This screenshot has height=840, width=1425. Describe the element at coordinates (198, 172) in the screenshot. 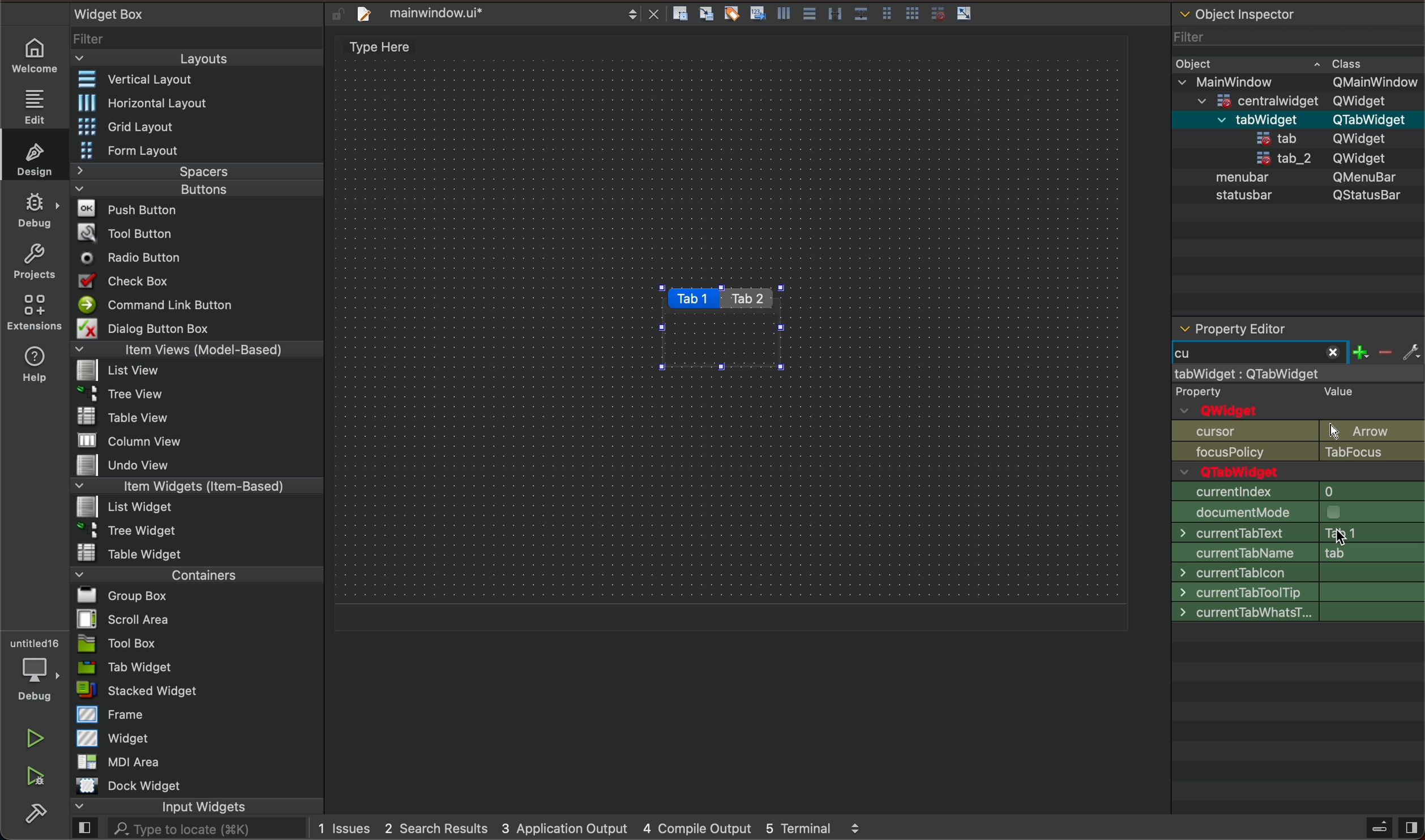

I see `Spacers` at that location.